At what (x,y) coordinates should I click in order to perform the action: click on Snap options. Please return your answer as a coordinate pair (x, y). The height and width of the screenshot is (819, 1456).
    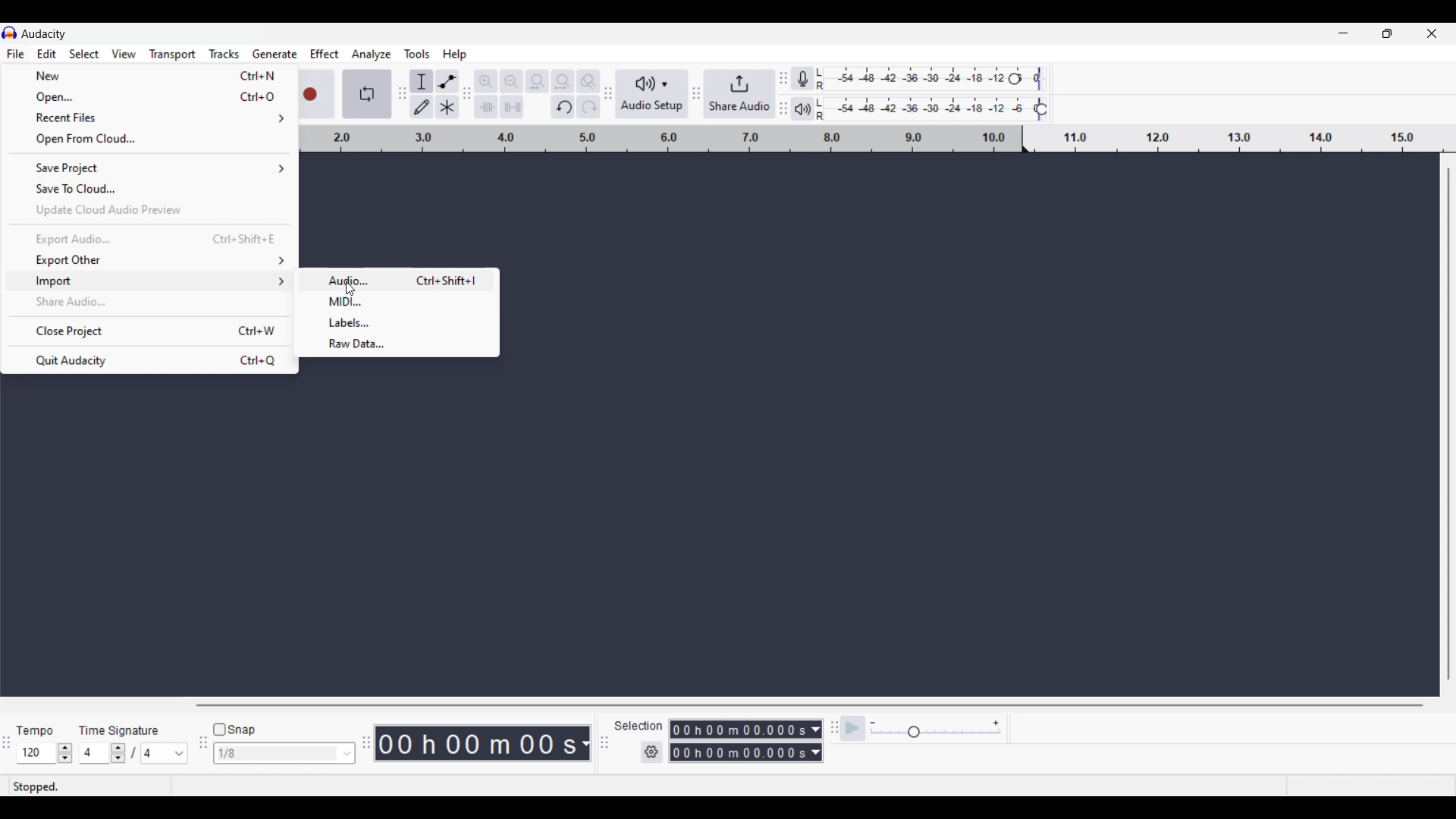
    Looking at the image, I should click on (347, 753).